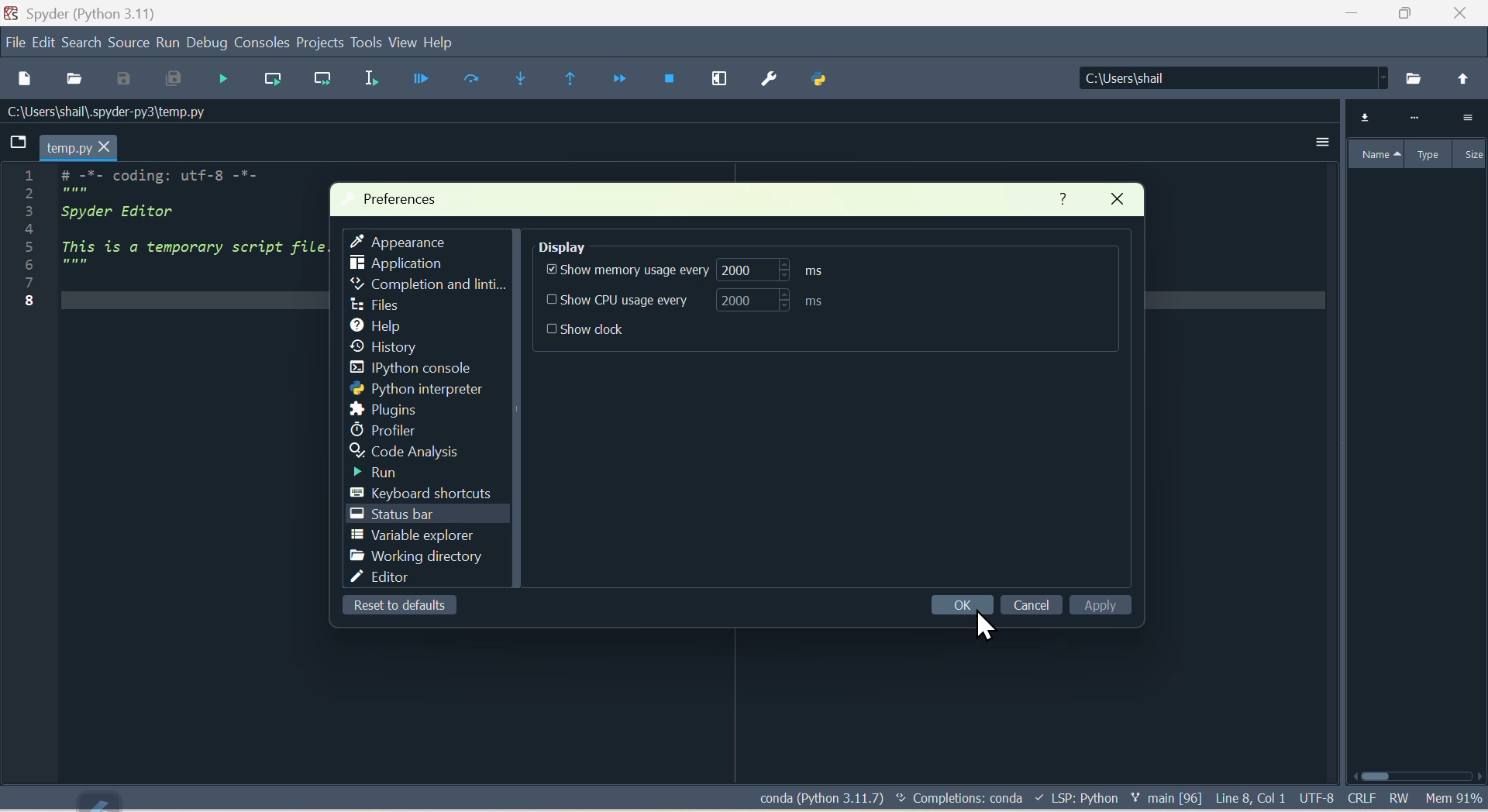 The height and width of the screenshot is (812, 1488). What do you see at coordinates (83, 41) in the screenshot?
I see `Search` at bounding box center [83, 41].